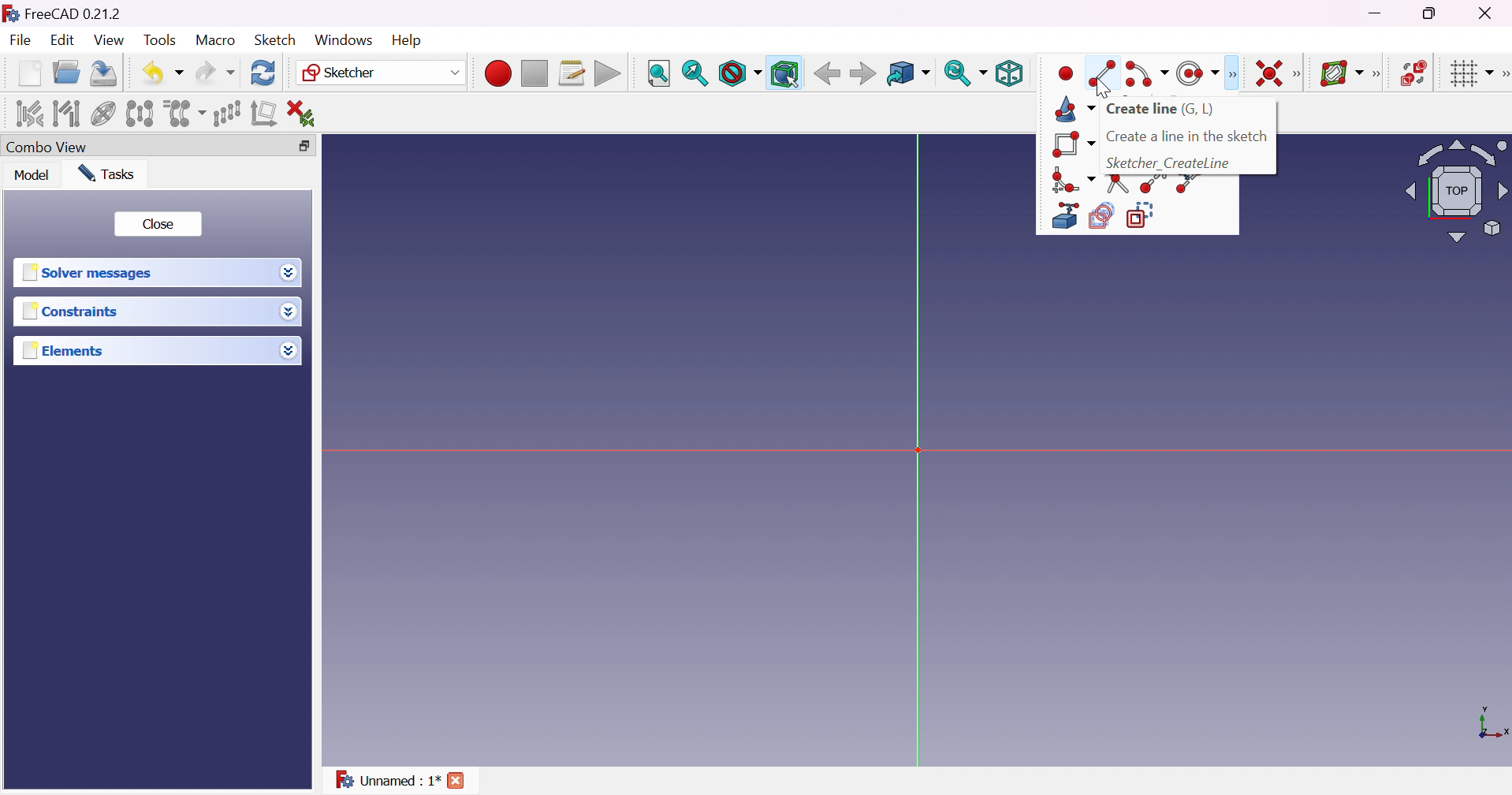 The width and height of the screenshot is (1512, 795). What do you see at coordinates (342, 39) in the screenshot?
I see `Windows` at bounding box center [342, 39].